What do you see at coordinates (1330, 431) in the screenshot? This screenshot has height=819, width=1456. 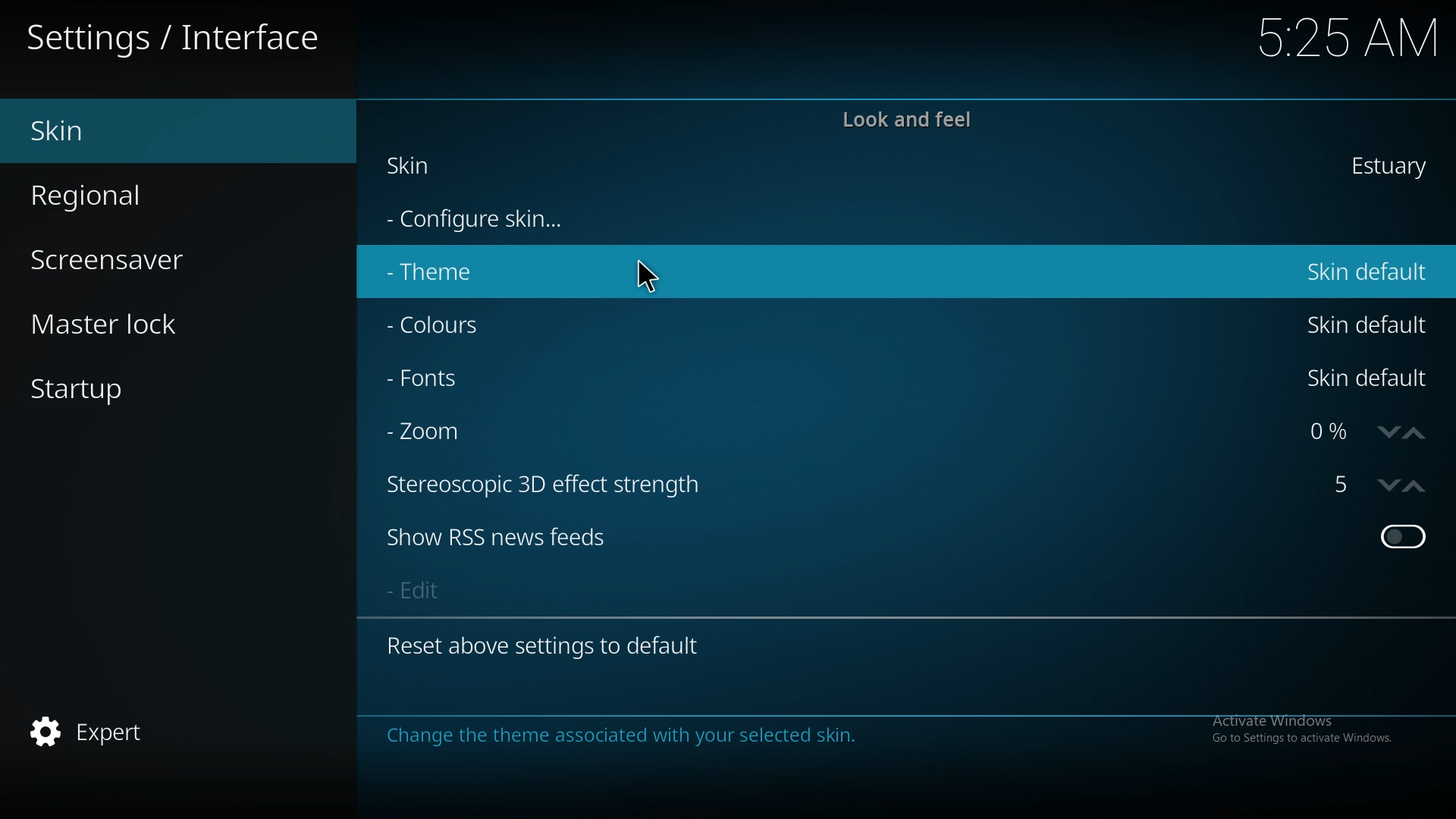 I see `zoom` at bounding box center [1330, 431].